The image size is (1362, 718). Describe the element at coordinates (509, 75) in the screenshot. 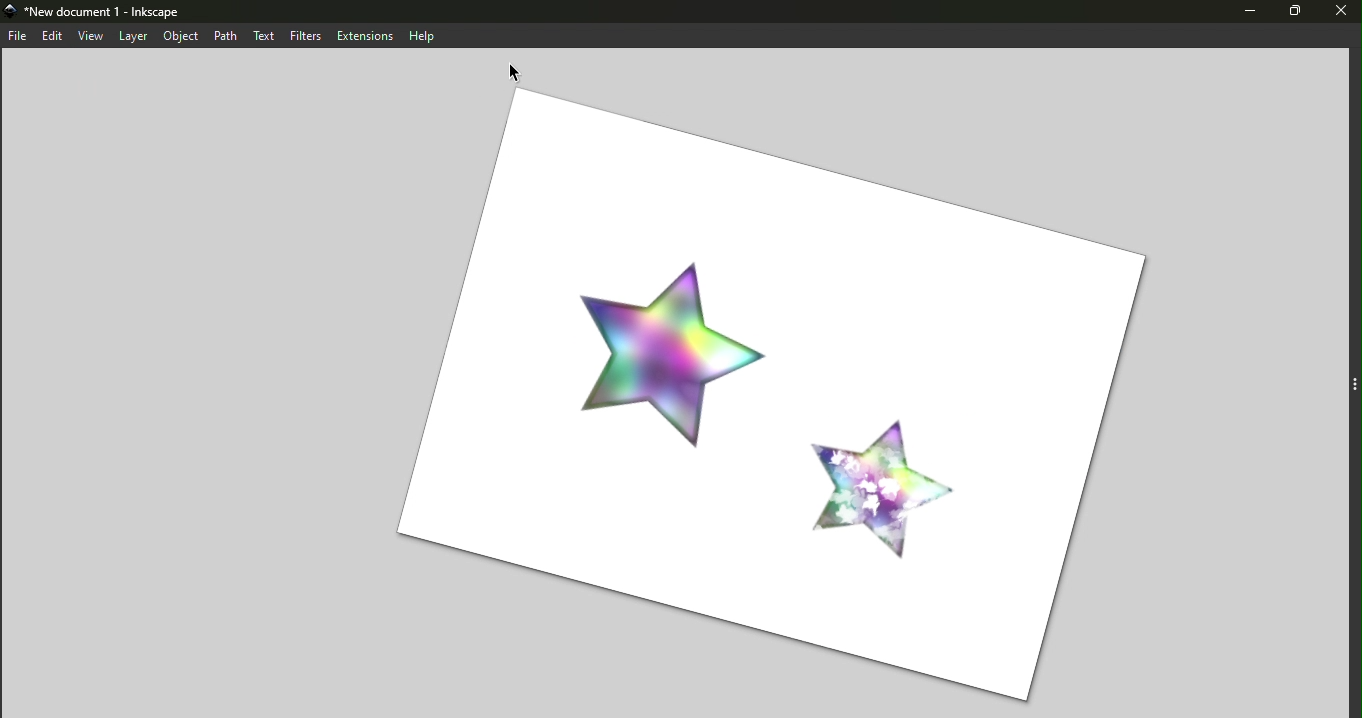

I see `Cursor` at that location.